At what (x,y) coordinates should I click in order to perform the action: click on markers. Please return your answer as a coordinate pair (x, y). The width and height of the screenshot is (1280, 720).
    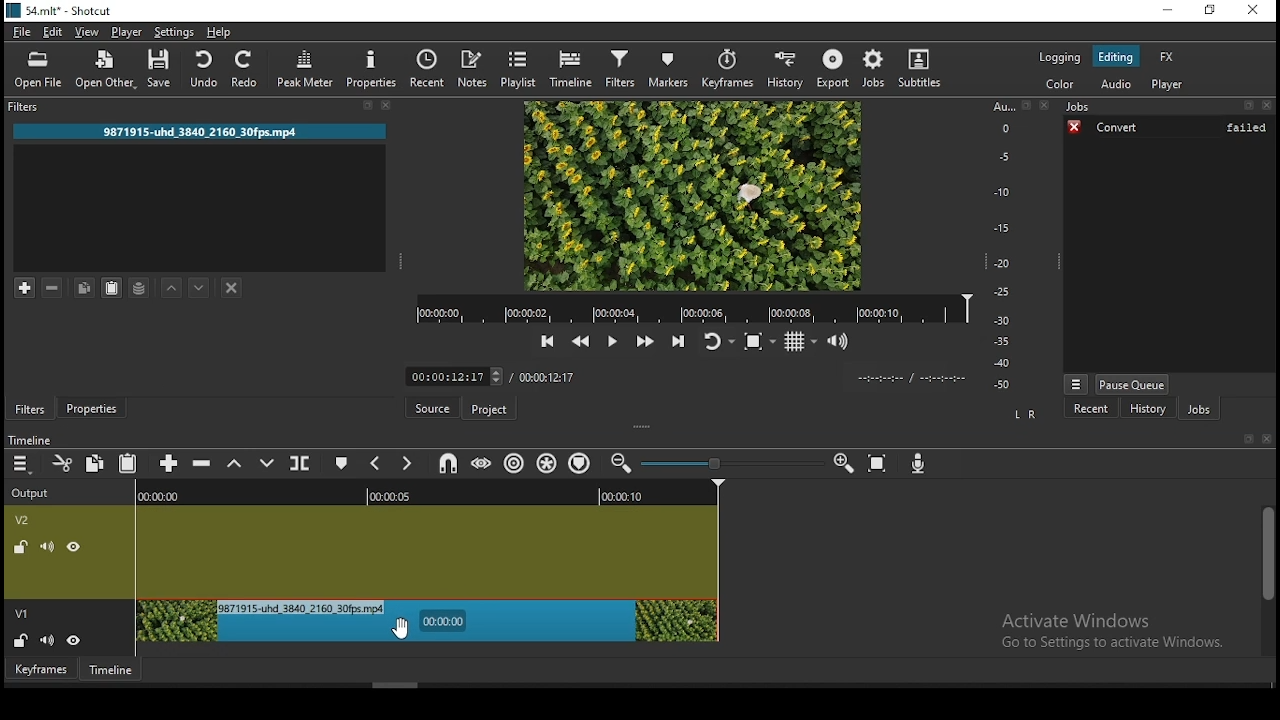
    Looking at the image, I should click on (673, 69).